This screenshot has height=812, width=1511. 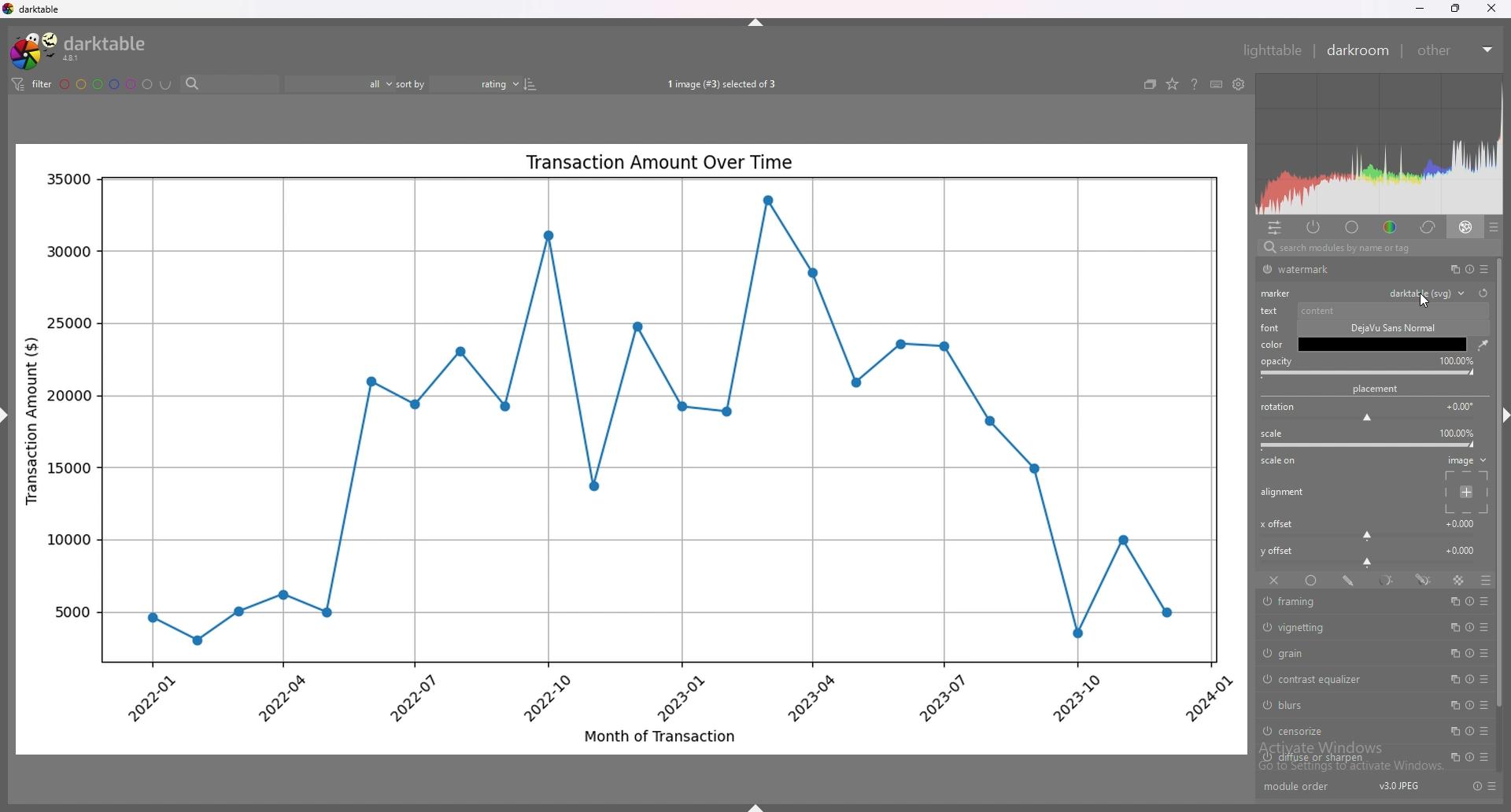 What do you see at coordinates (1272, 328) in the screenshot?
I see `font` at bounding box center [1272, 328].